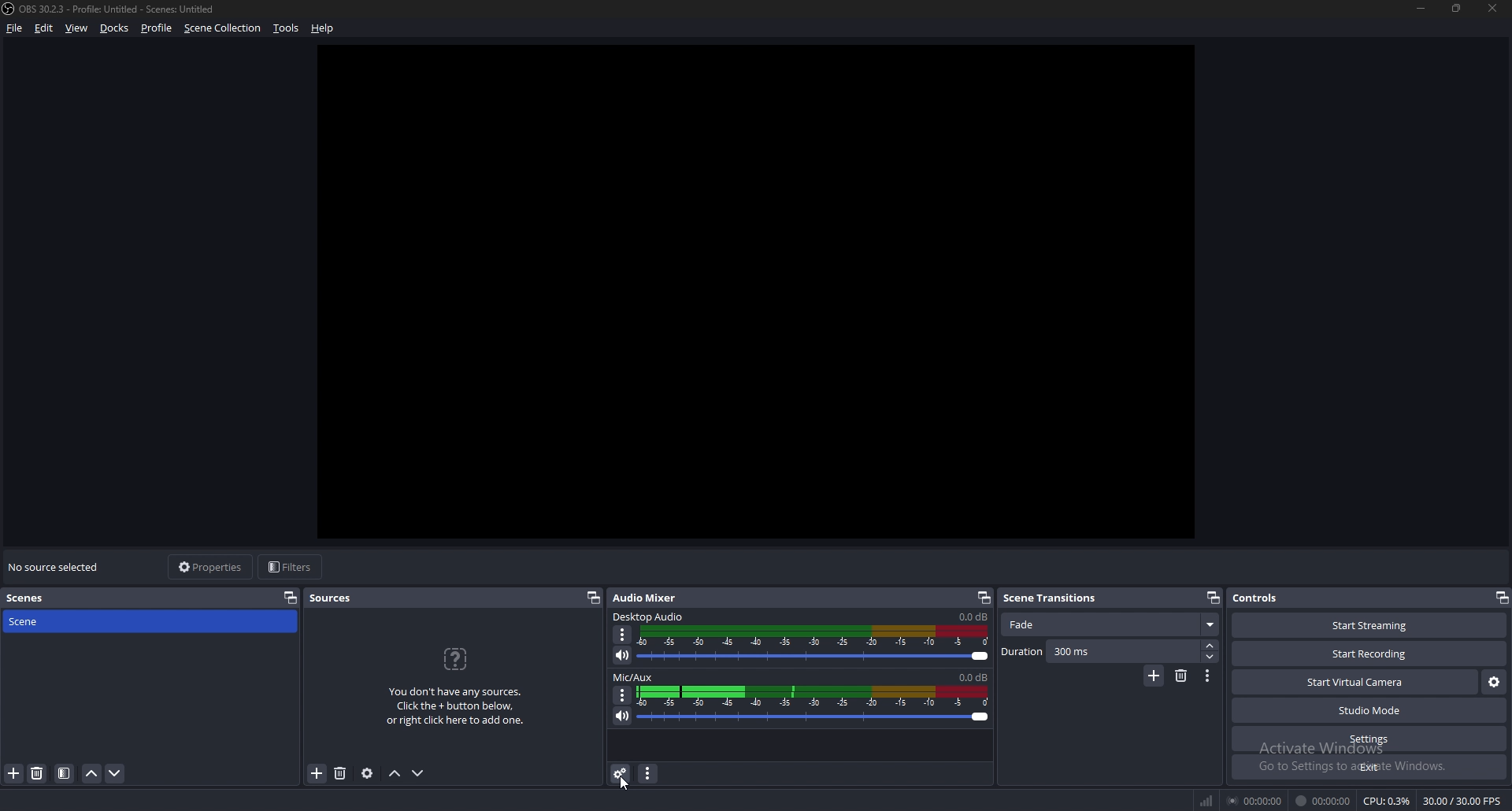 This screenshot has width=1512, height=811. What do you see at coordinates (1257, 800) in the screenshot?
I see `00:00:00` at bounding box center [1257, 800].